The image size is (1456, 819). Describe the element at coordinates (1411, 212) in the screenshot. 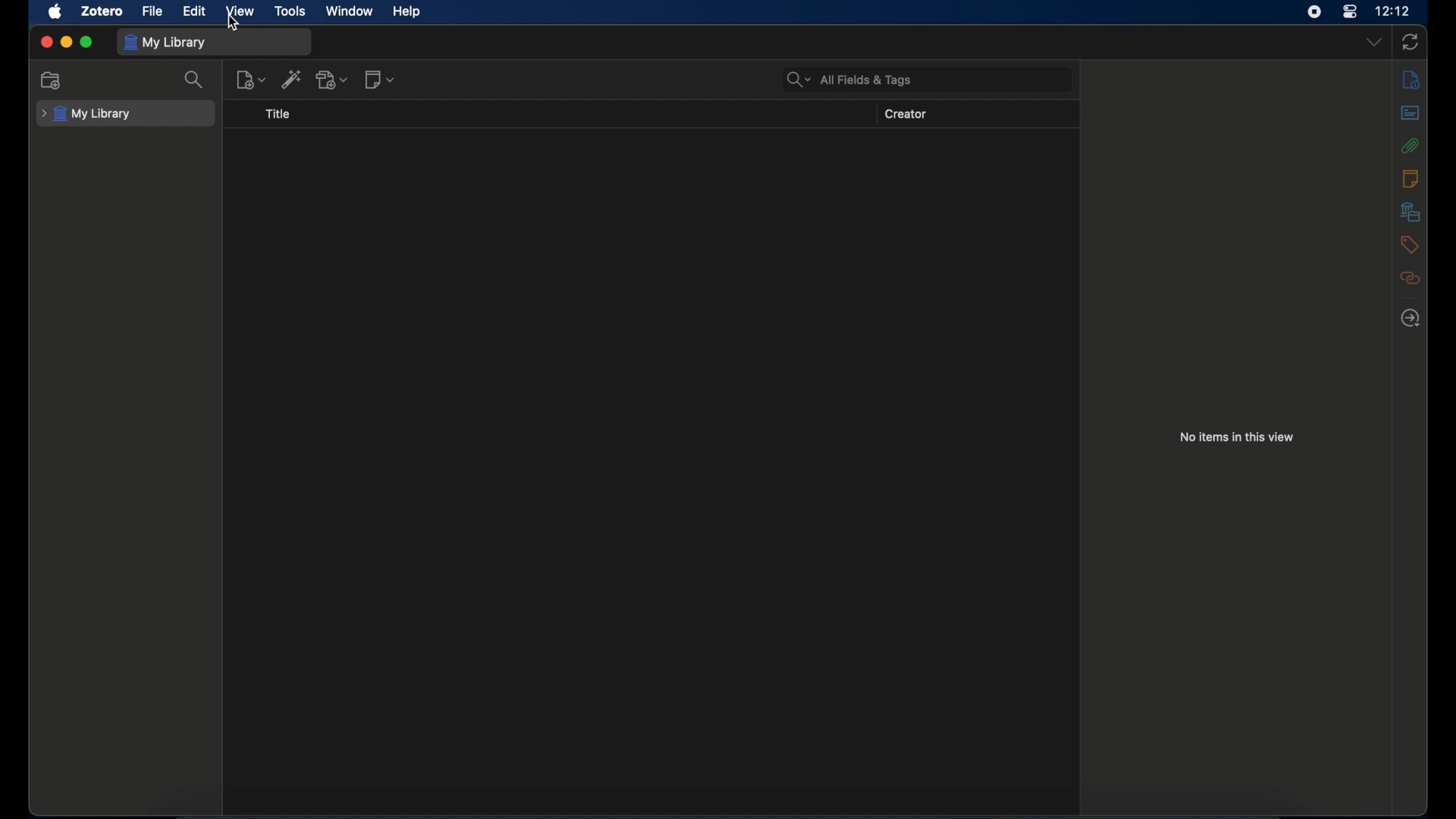

I see `libraries` at that location.